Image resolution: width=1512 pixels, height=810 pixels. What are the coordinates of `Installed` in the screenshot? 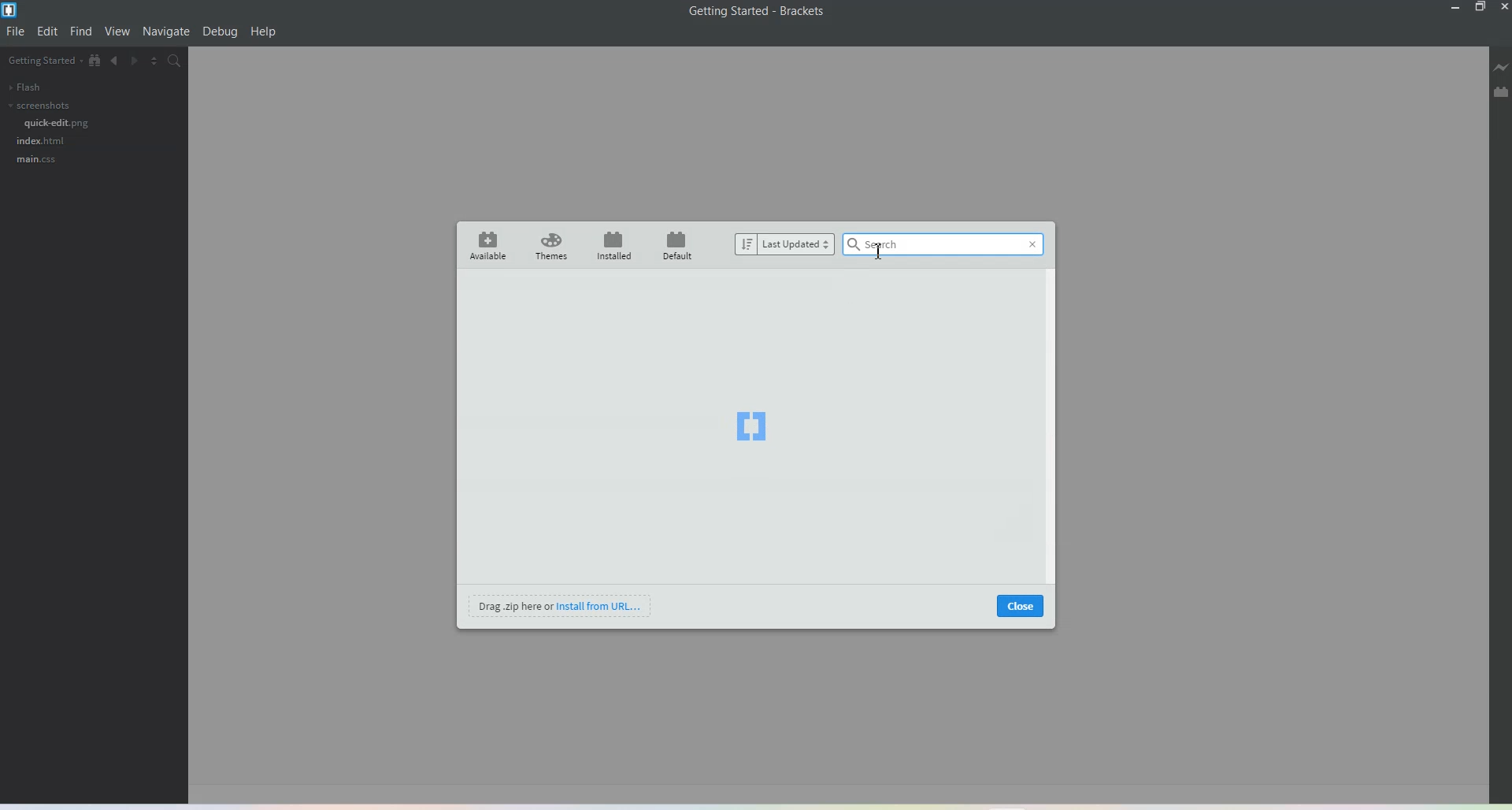 It's located at (614, 245).